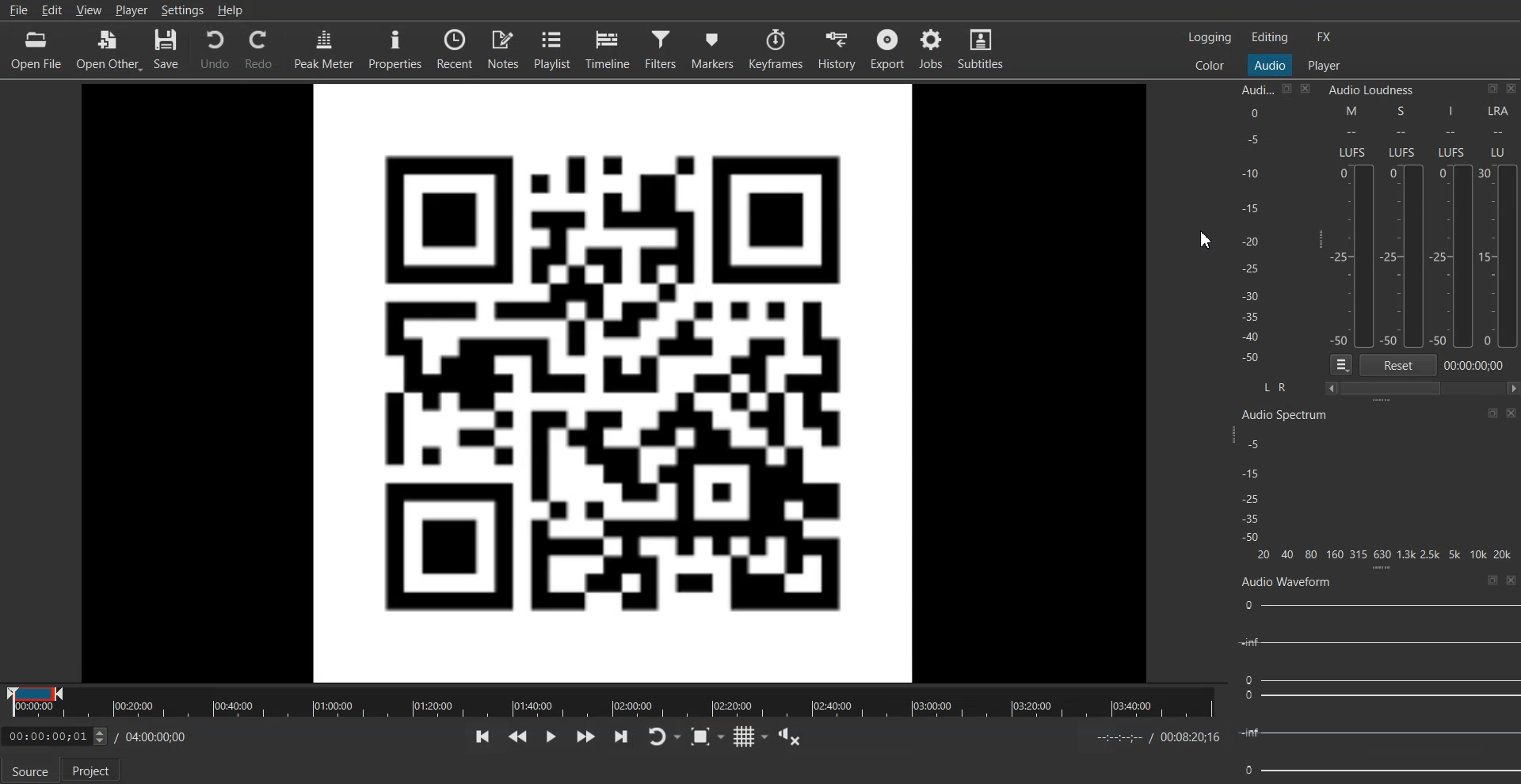 The image size is (1521, 784). Describe the element at coordinates (1325, 36) in the screenshot. I see `Switch to the effect layout` at that location.